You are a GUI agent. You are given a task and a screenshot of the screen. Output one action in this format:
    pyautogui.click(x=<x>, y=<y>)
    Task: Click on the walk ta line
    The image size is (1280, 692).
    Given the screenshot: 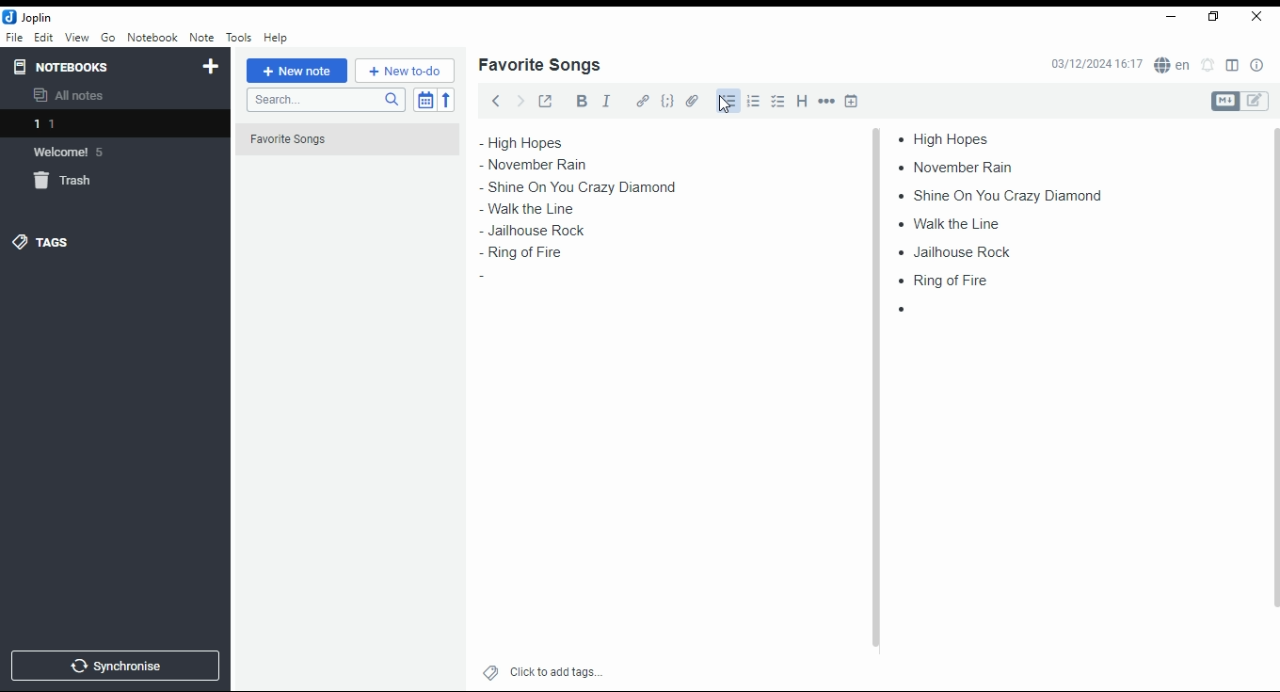 What is the action you would take?
    pyautogui.click(x=519, y=208)
    